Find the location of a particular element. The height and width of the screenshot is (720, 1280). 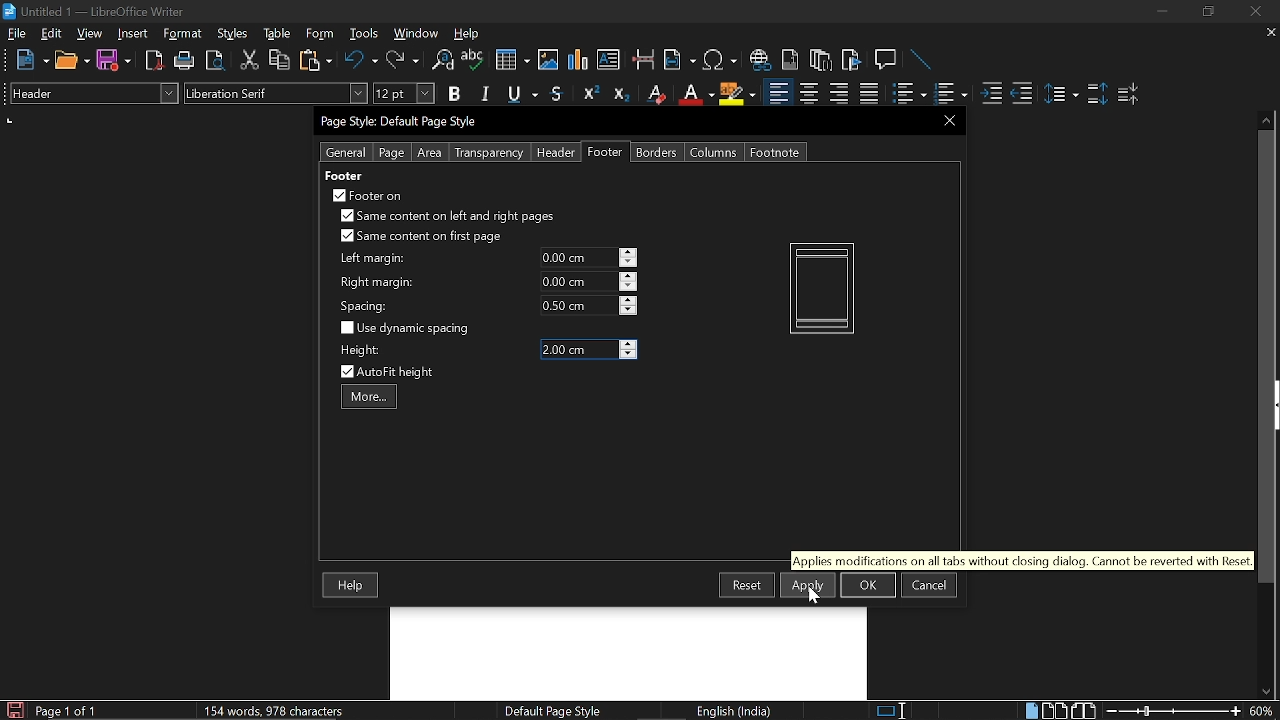

Insert text is located at coordinates (608, 59).